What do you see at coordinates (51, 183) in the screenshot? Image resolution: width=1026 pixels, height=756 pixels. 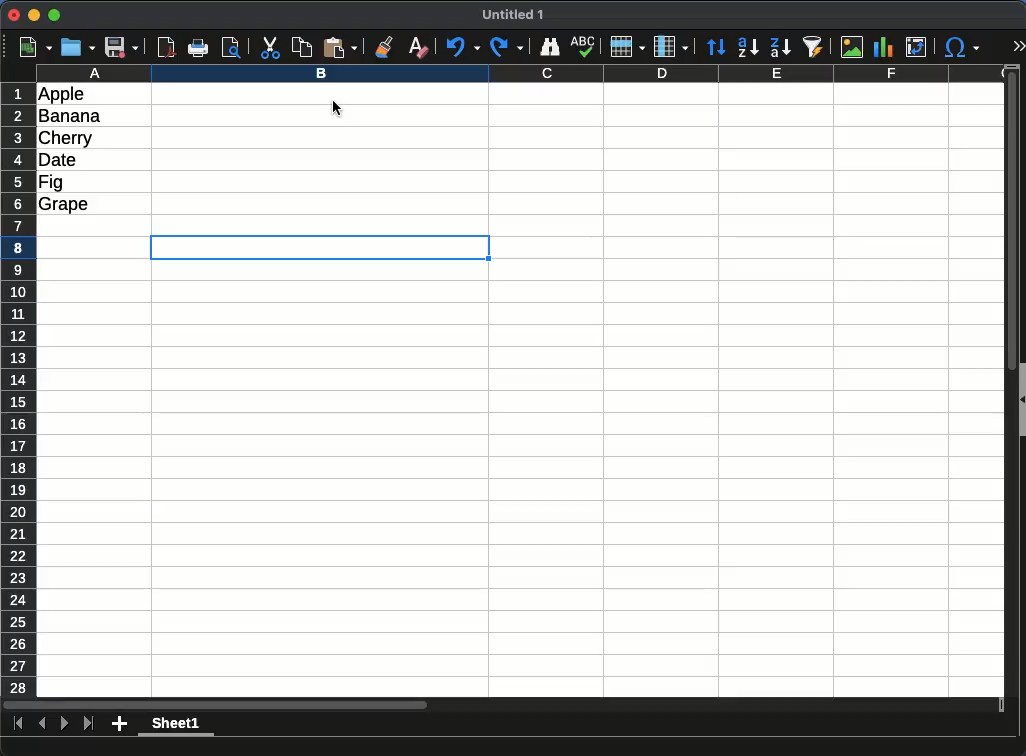 I see `fig` at bounding box center [51, 183].